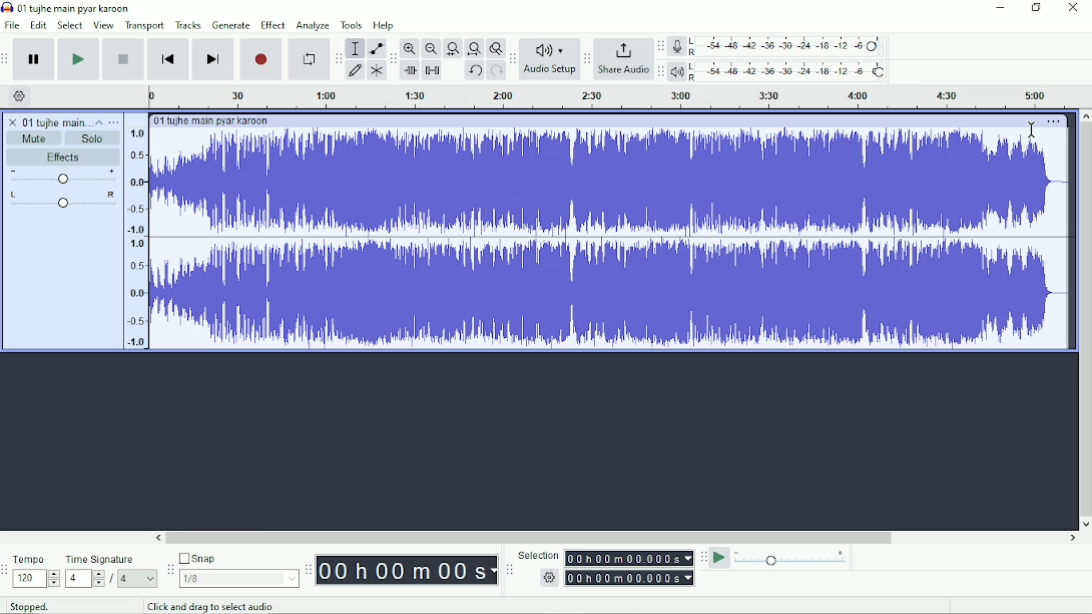 This screenshot has width=1092, height=614. I want to click on 01 tujhe main pyar karoon, so click(219, 121).